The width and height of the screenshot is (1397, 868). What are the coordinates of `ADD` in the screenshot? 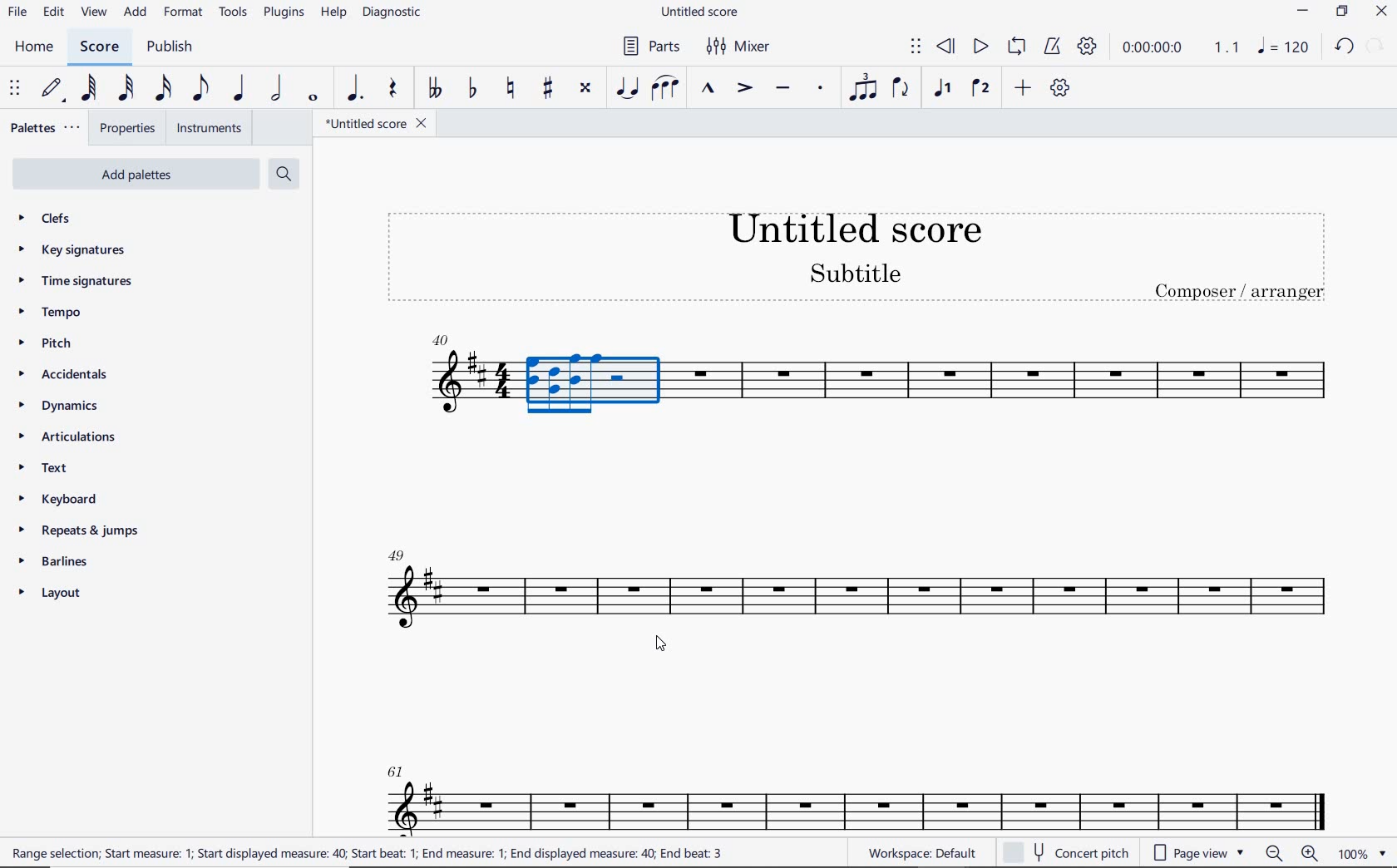 It's located at (136, 13).